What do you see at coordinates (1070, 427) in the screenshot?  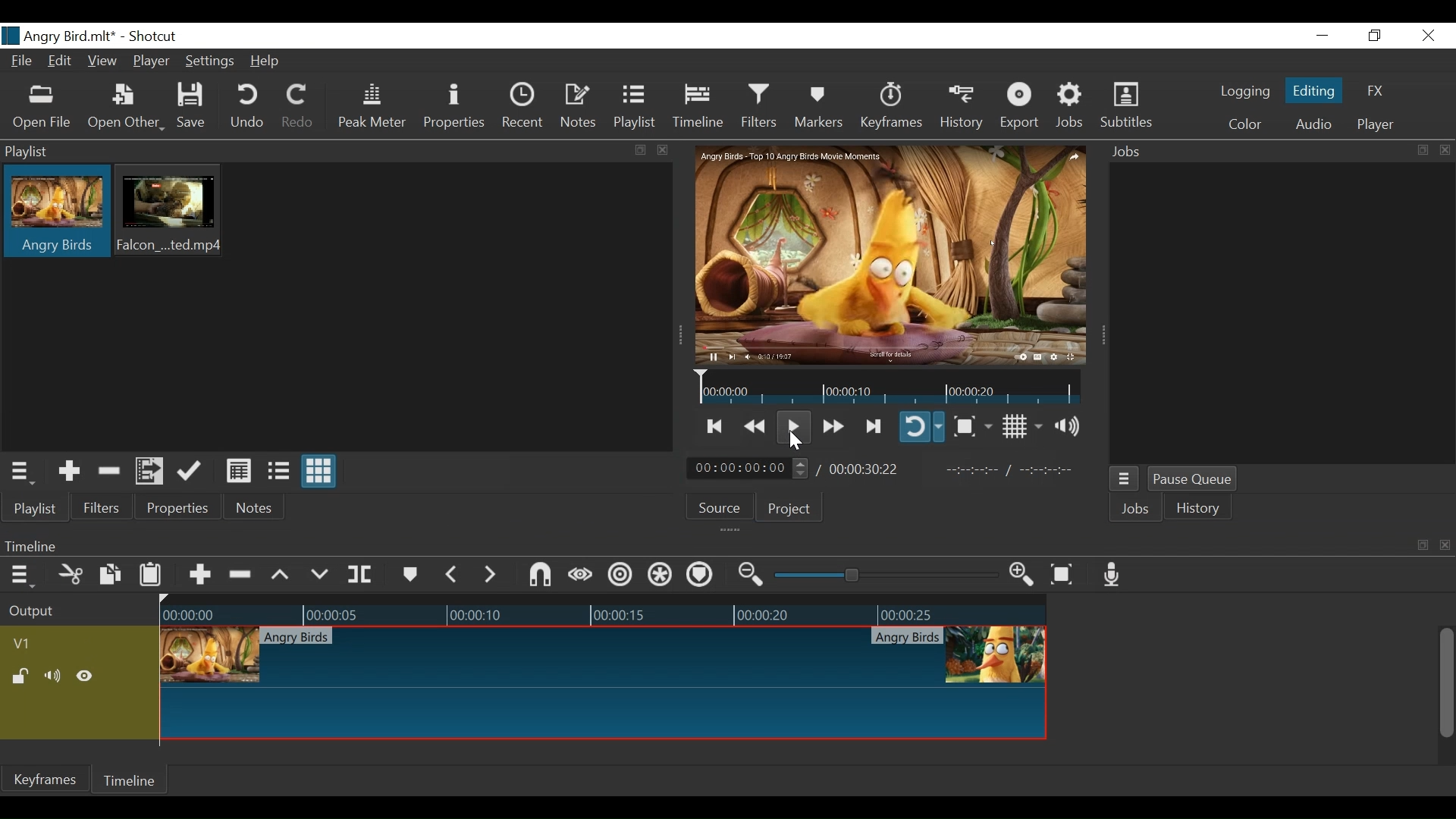 I see `Show volume control` at bounding box center [1070, 427].